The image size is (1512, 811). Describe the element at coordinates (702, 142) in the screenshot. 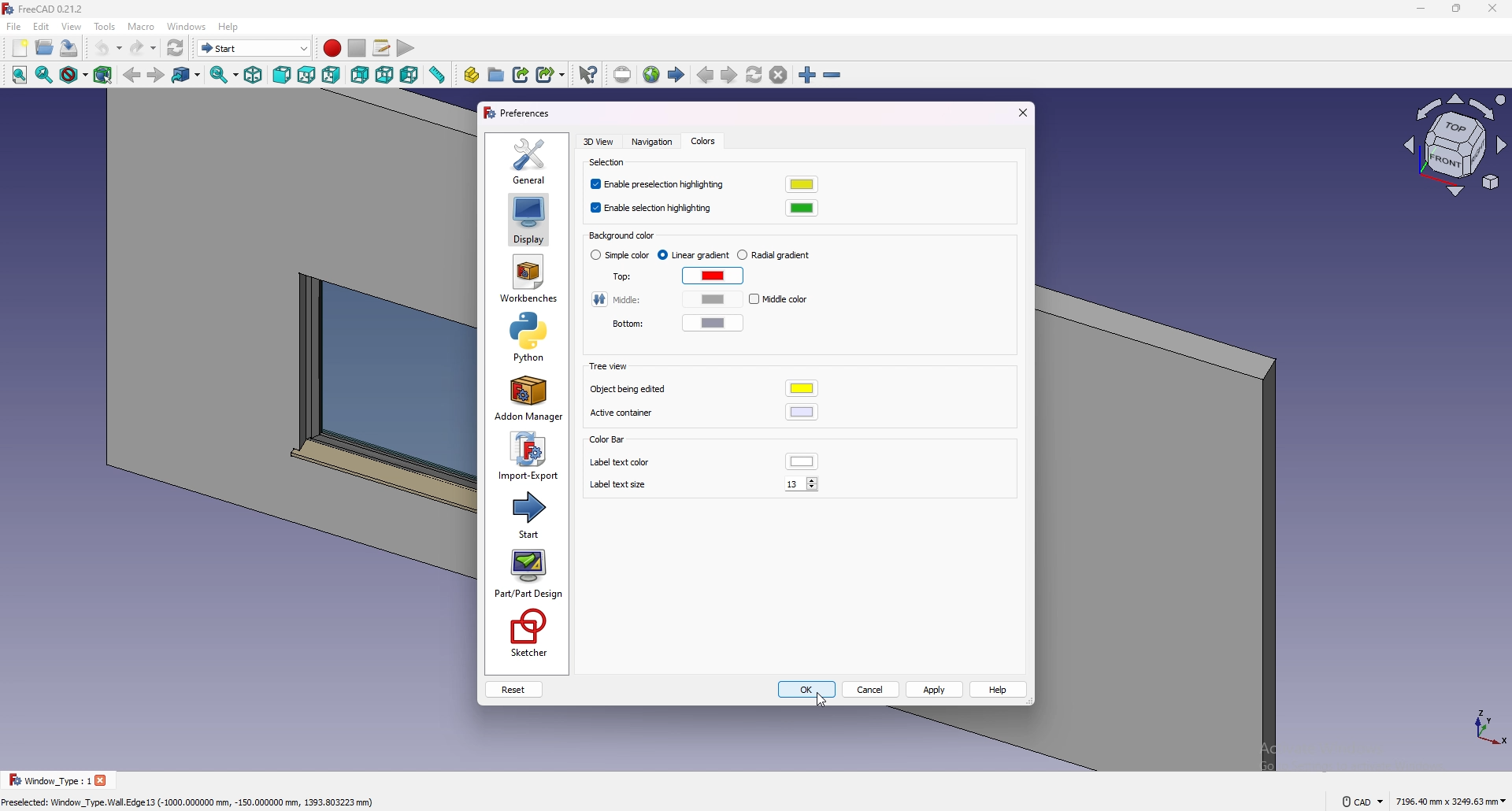

I see `colors` at that location.